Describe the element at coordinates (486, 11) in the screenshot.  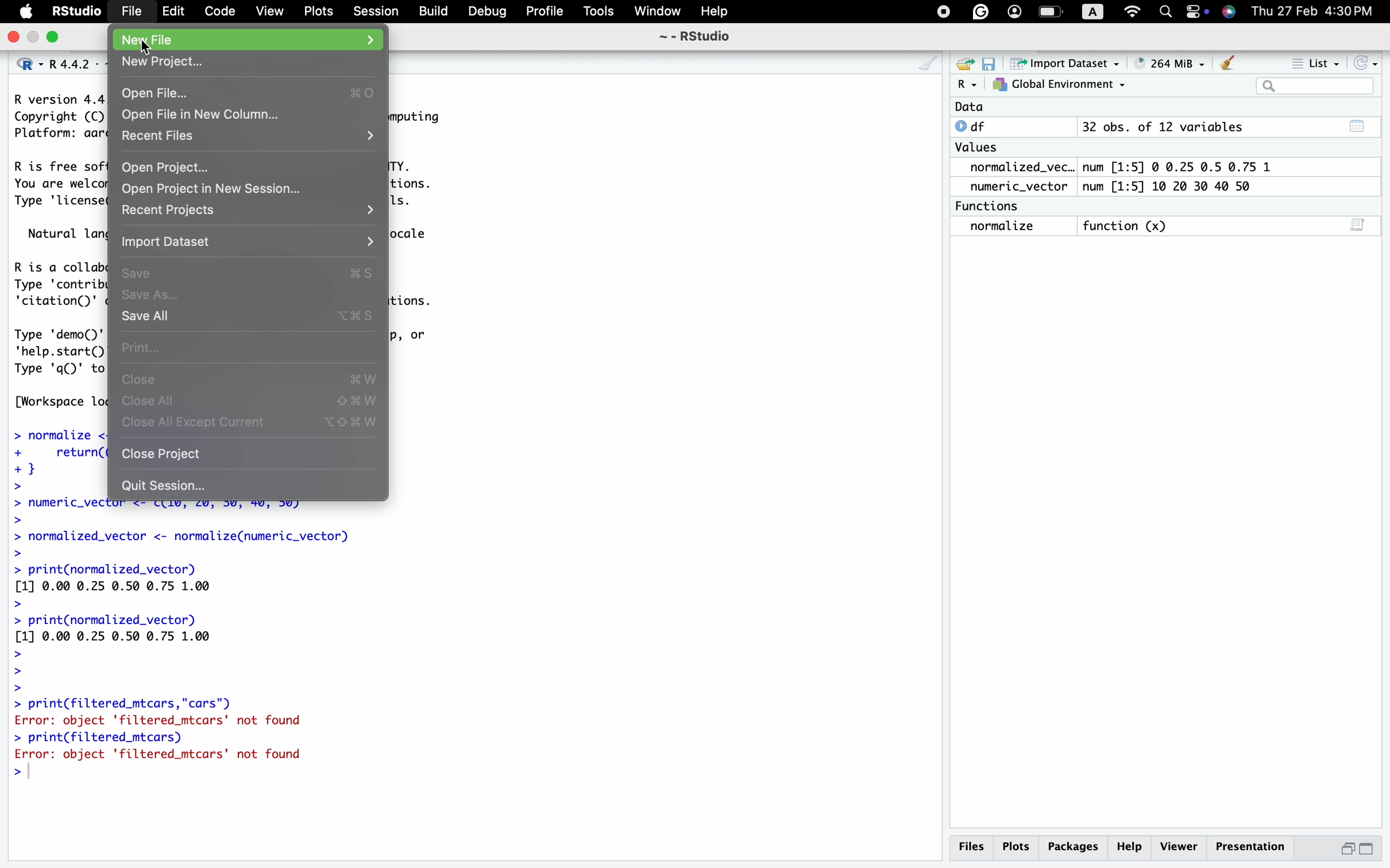
I see `debug` at that location.